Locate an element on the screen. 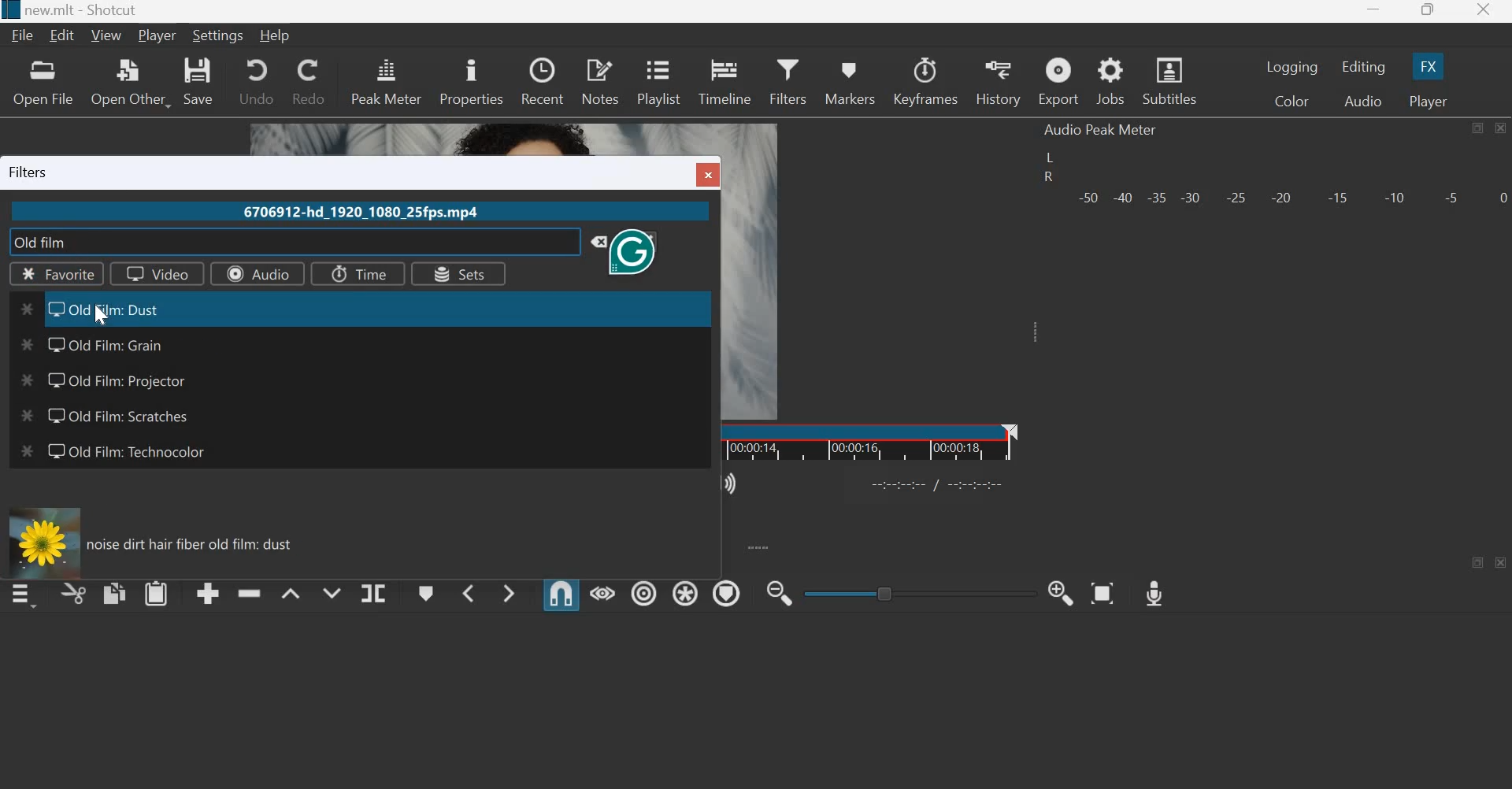  noise dirt hair fiber old film: dust is located at coordinates (206, 543).